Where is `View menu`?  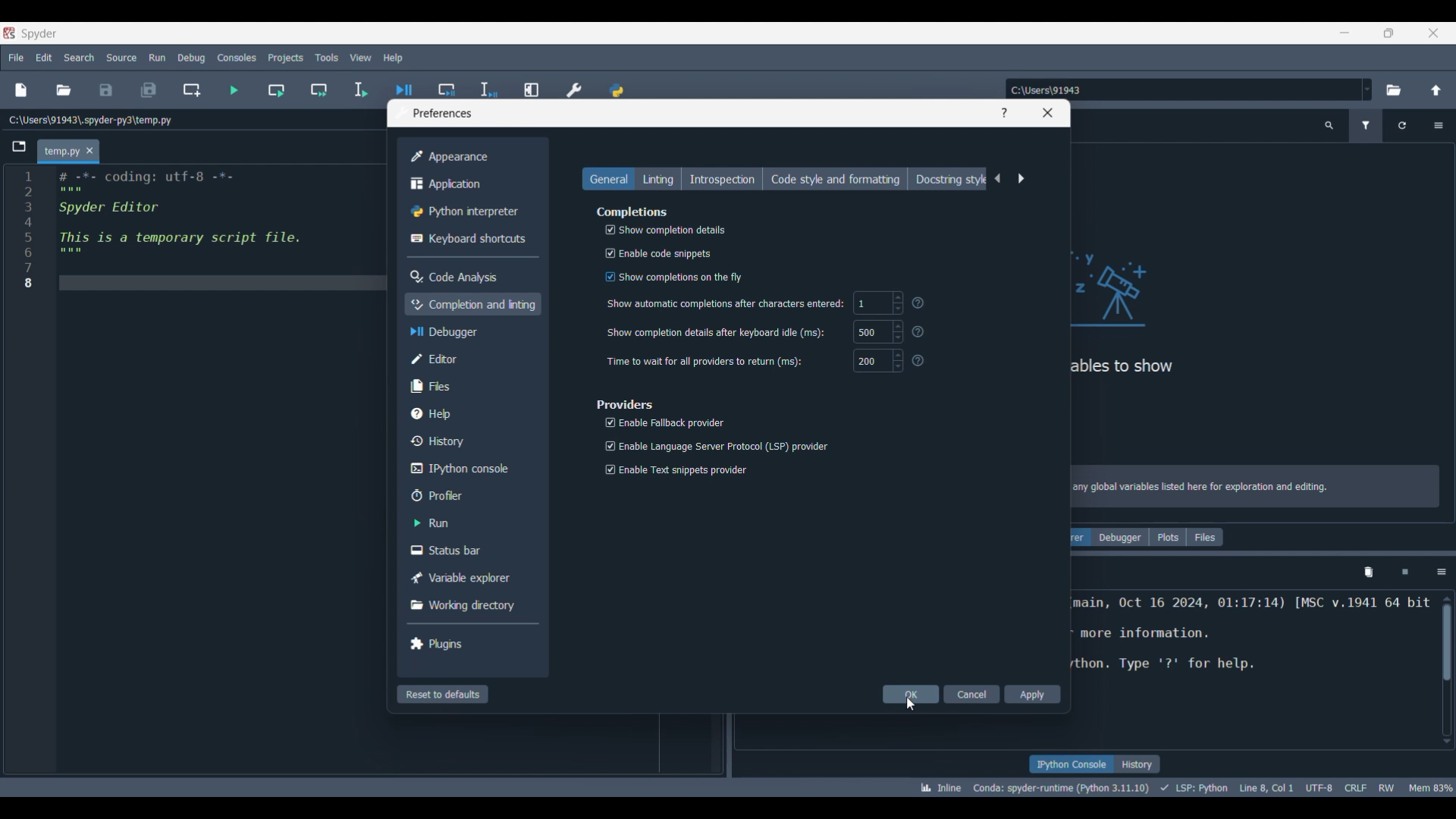
View menu is located at coordinates (361, 58).